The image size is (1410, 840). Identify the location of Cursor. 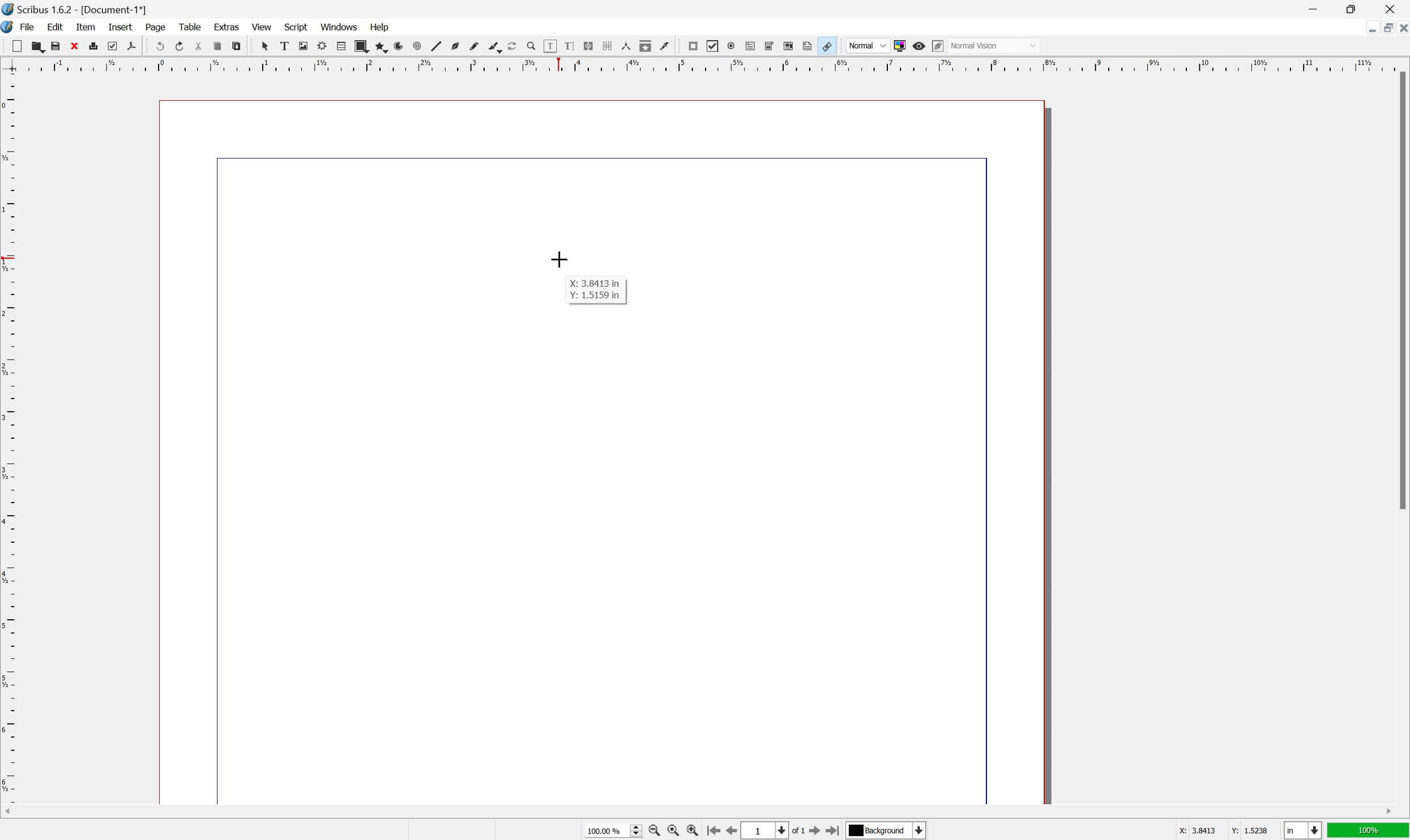
(561, 259).